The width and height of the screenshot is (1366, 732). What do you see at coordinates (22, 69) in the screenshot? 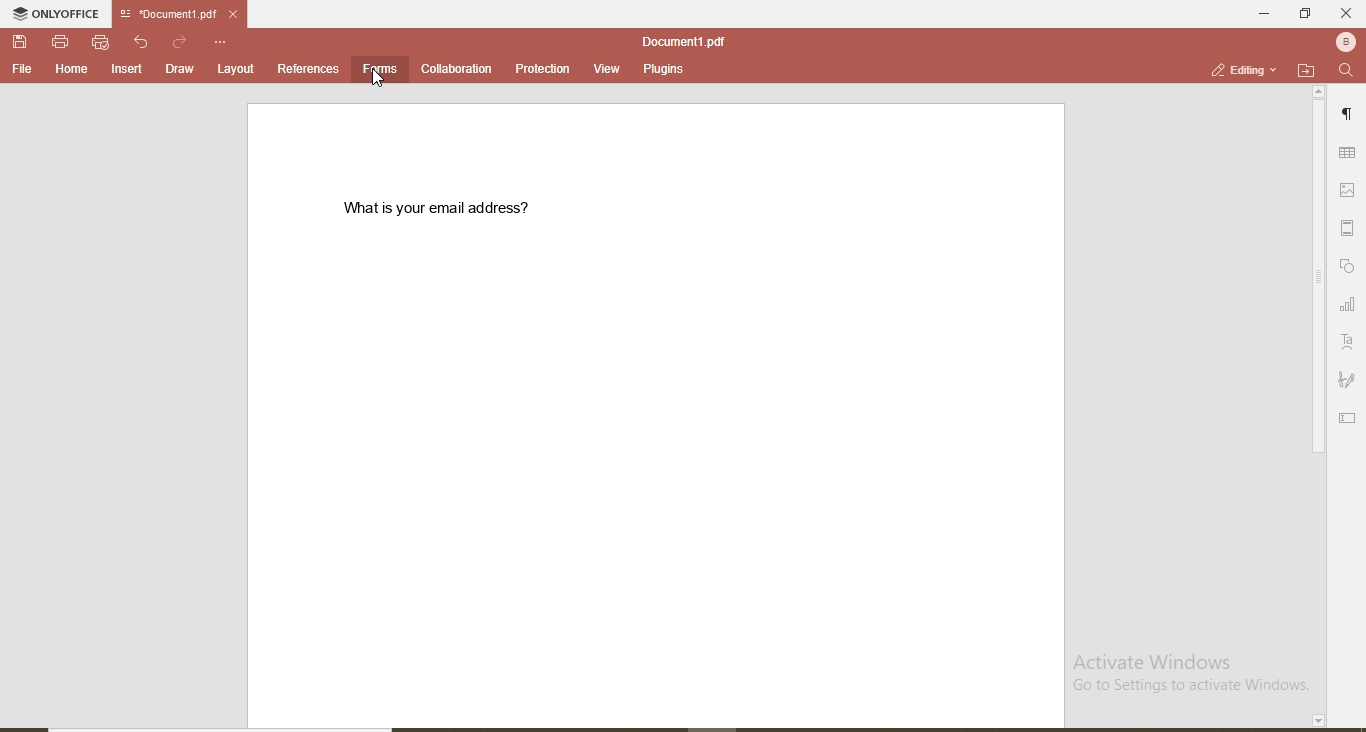
I see `file` at bounding box center [22, 69].